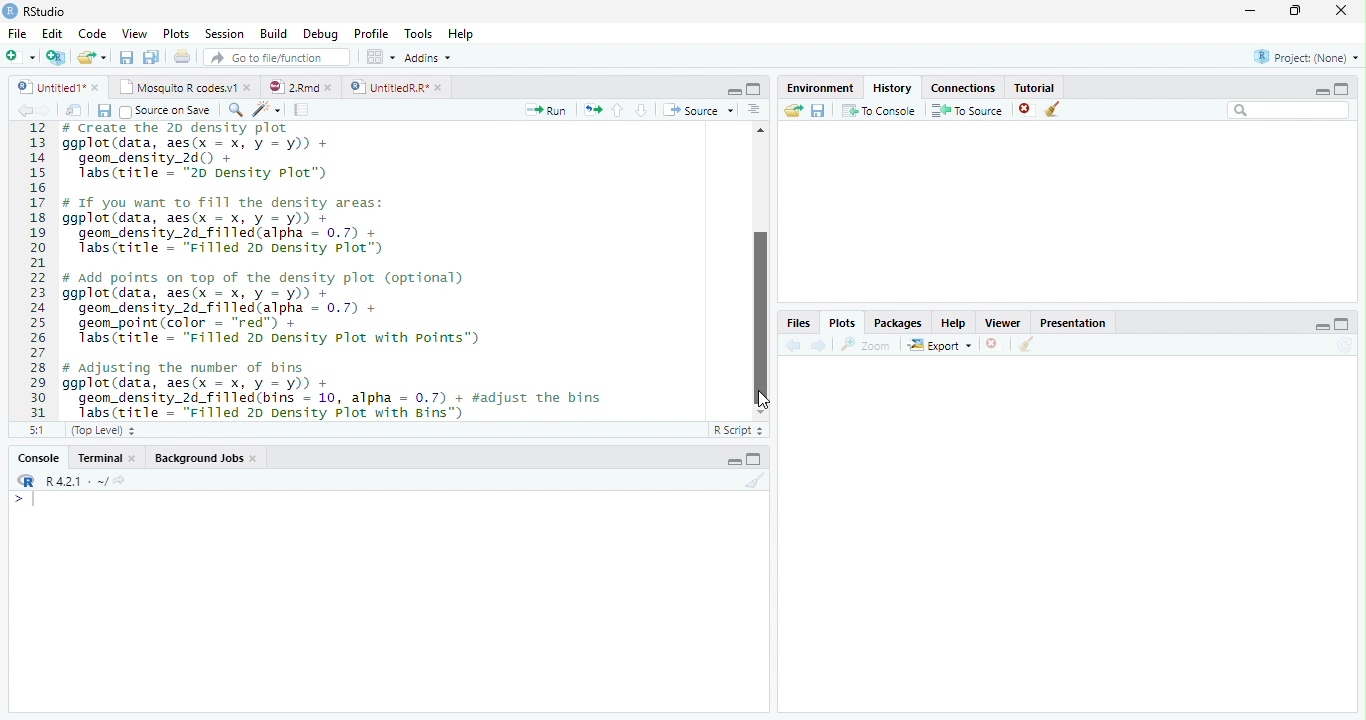  I want to click on GO to file/function, so click(273, 57).